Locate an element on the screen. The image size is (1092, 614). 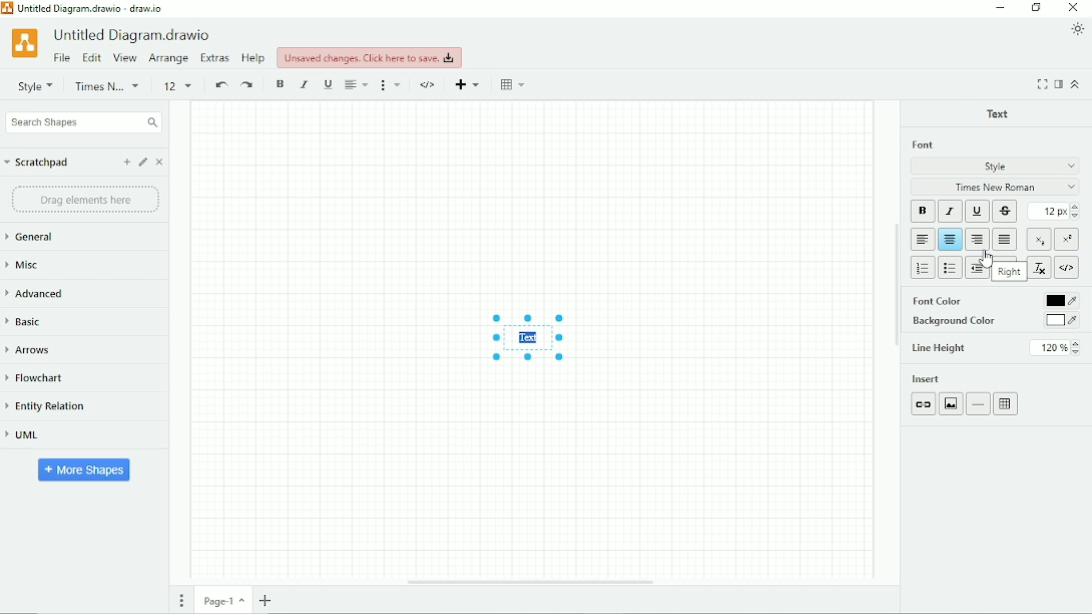
UML is located at coordinates (25, 435).